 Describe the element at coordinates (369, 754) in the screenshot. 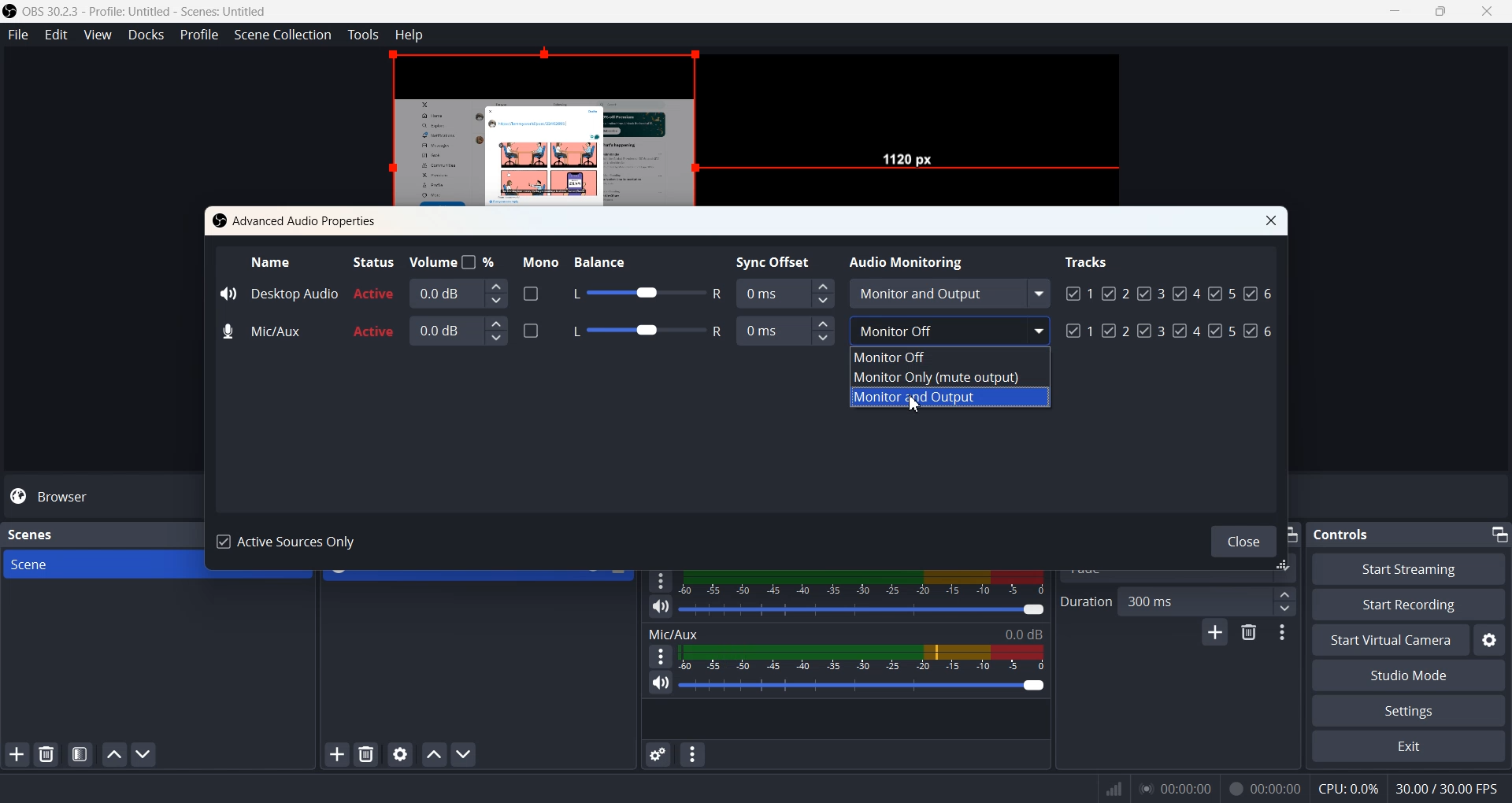

I see `Delete selected sources` at that location.